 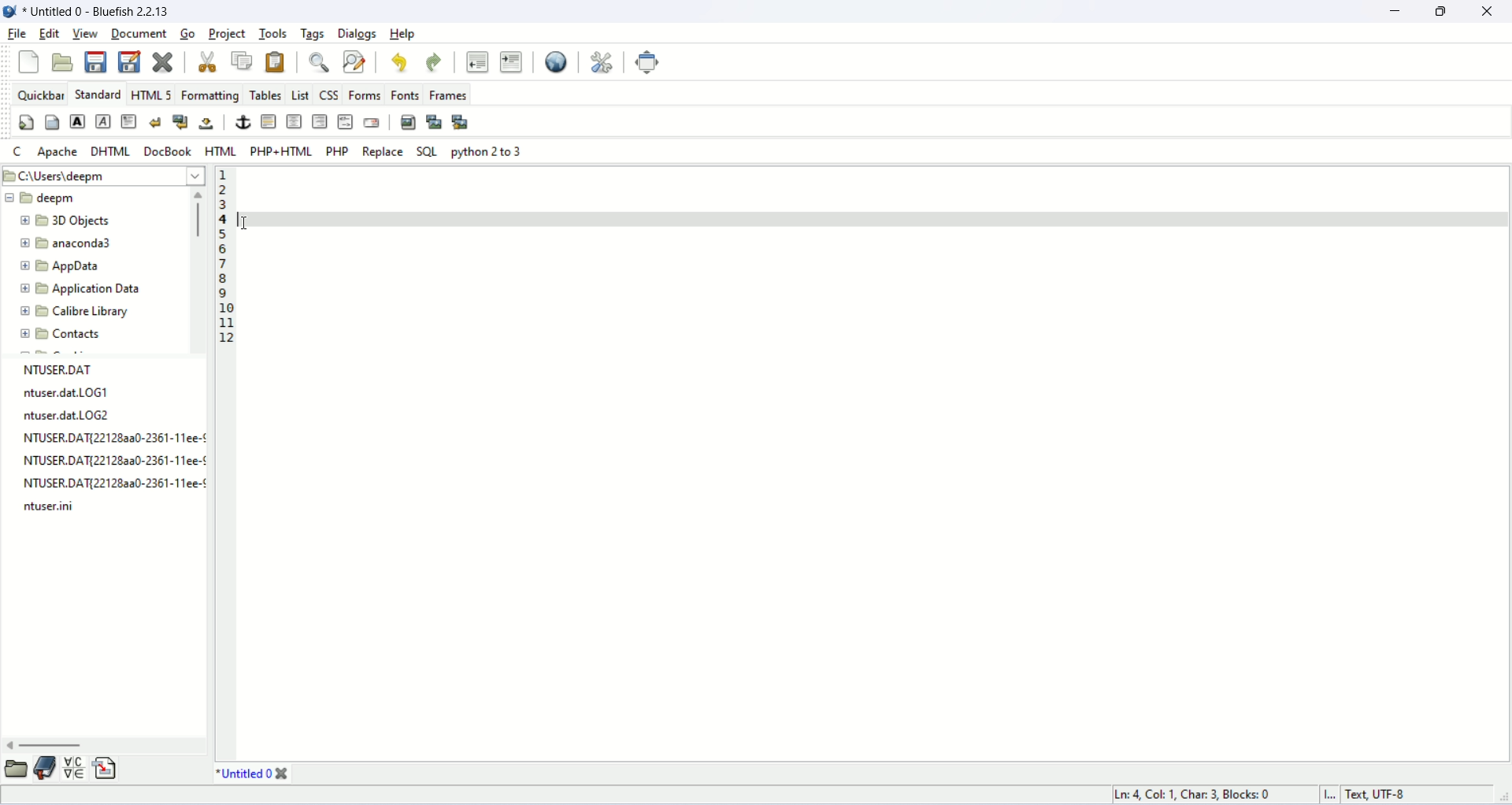 What do you see at coordinates (272, 35) in the screenshot?
I see `tools` at bounding box center [272, 35].